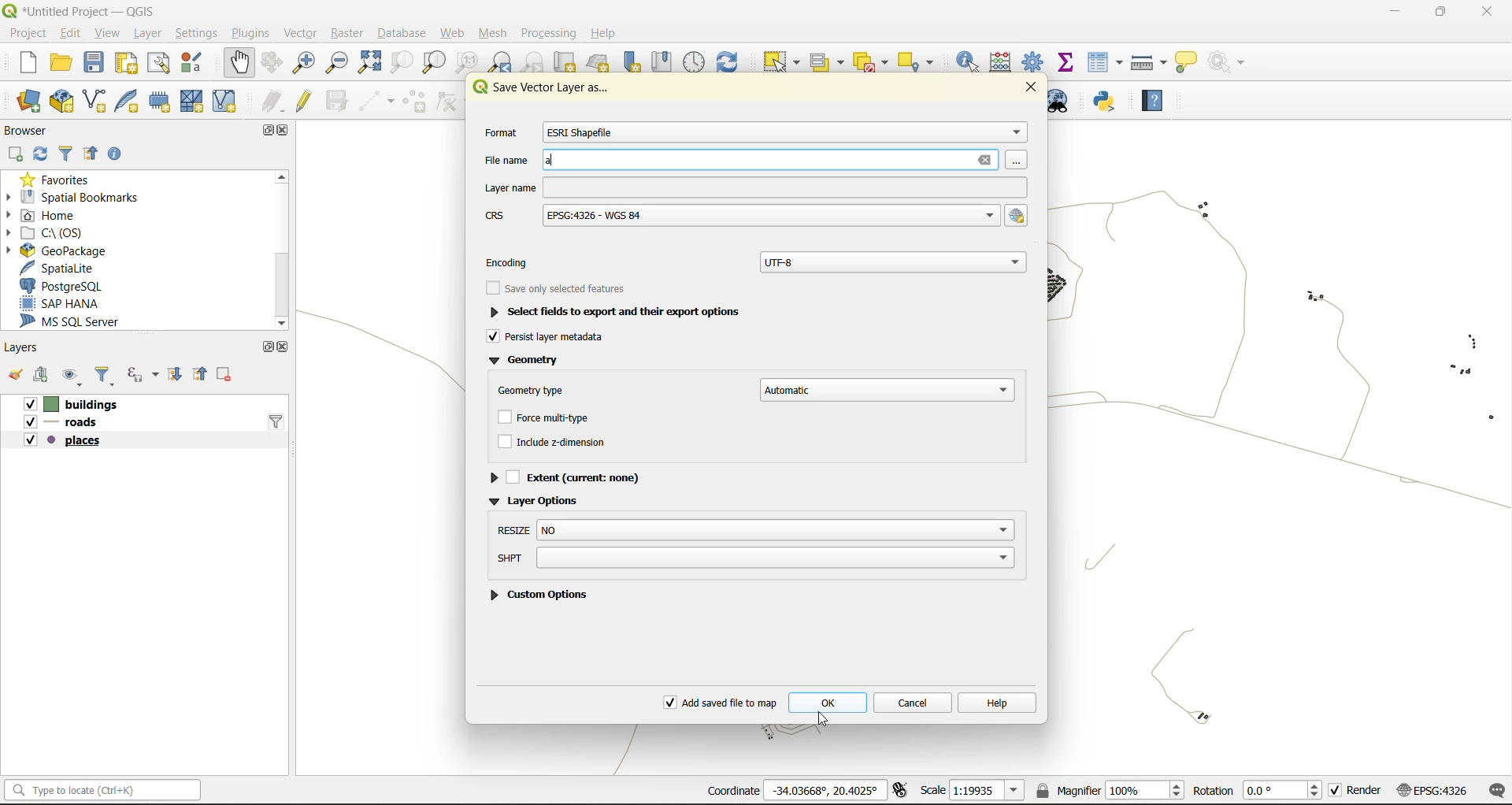 The width and height of the screenshot is (1512, 805). I want to click on log messages, so click(1495, 791).